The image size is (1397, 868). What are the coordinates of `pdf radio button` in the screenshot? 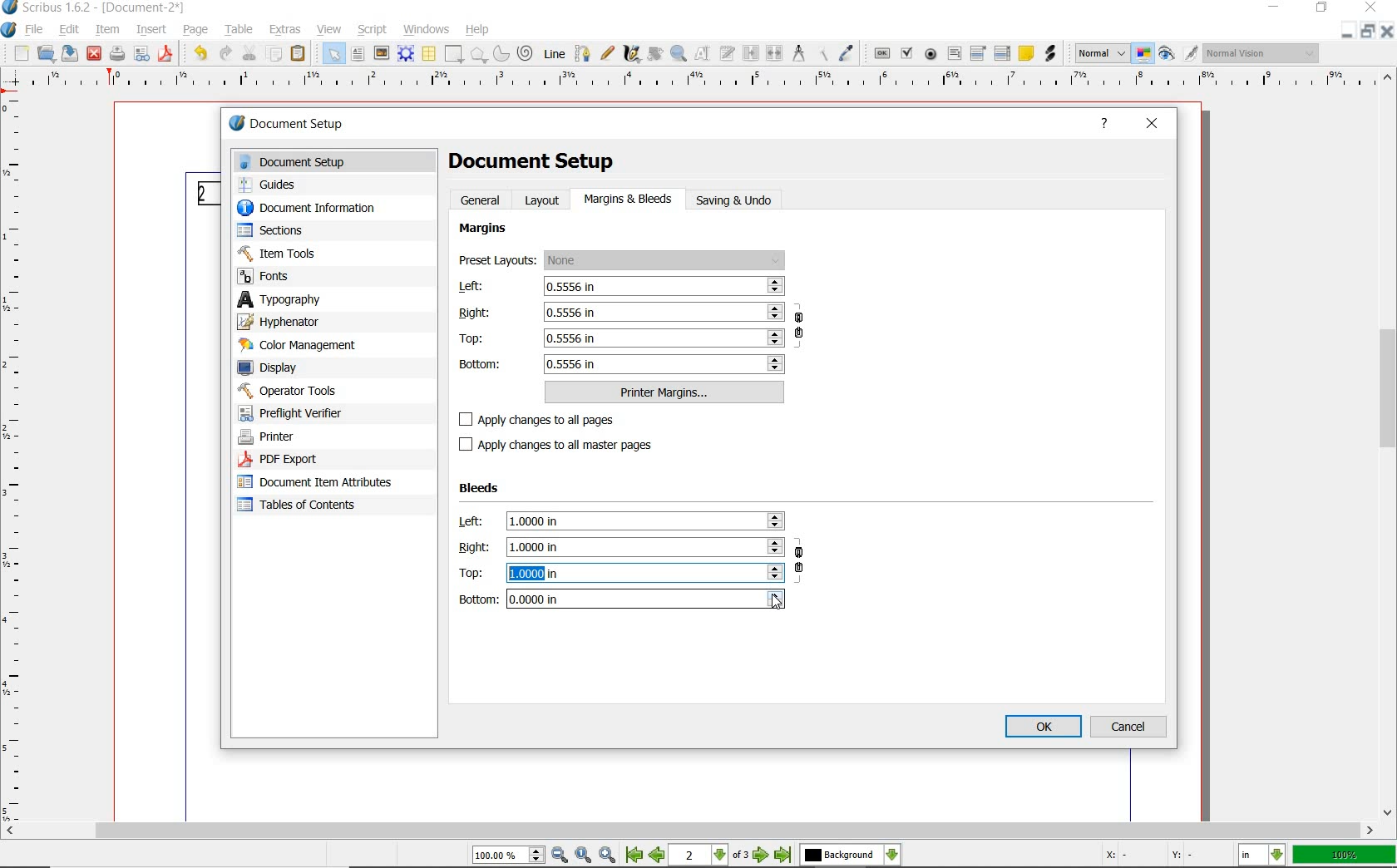 It's located at (931, 54).